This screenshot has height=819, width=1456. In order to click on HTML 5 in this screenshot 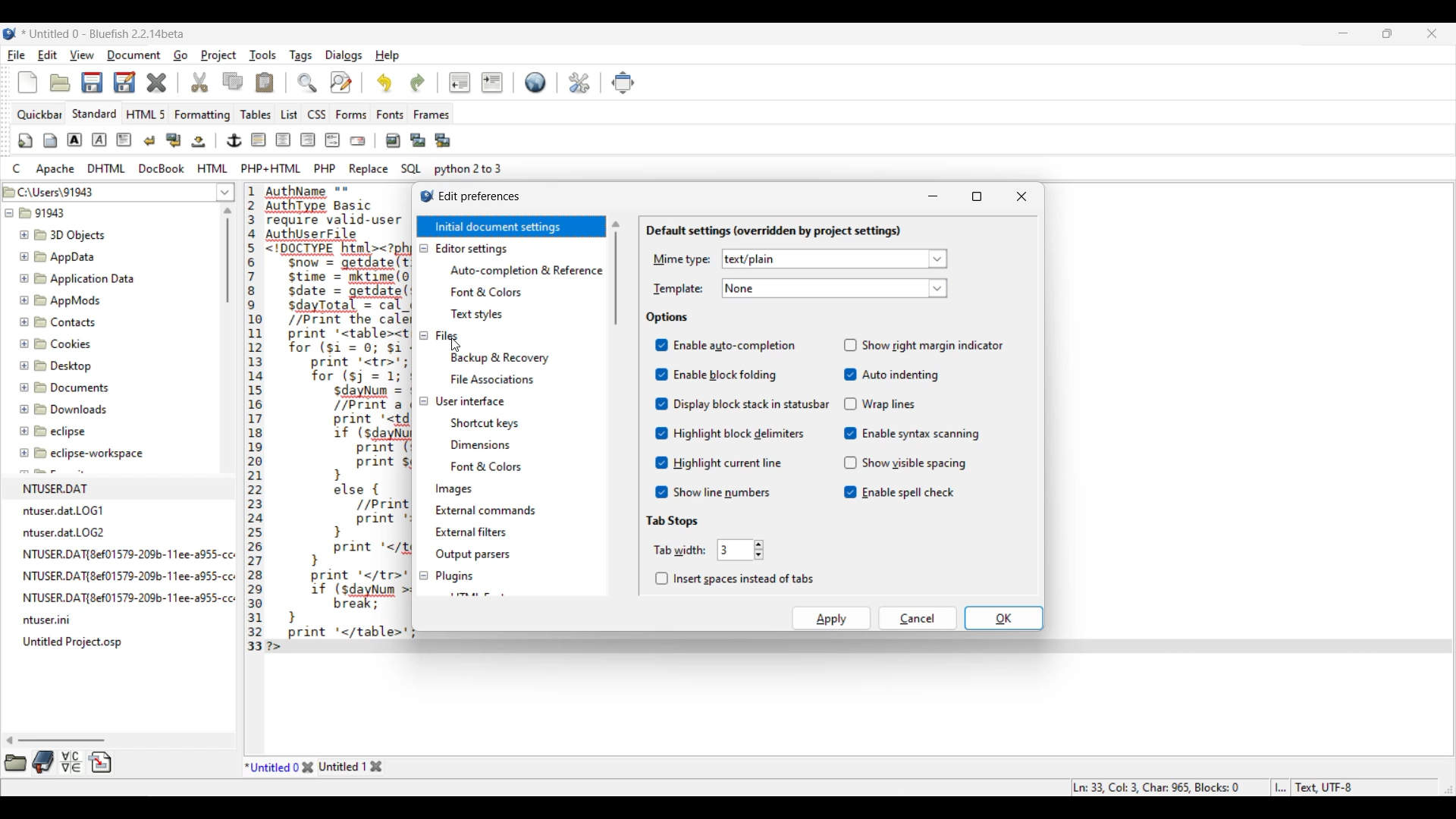, I will do `click(146, 114)`.